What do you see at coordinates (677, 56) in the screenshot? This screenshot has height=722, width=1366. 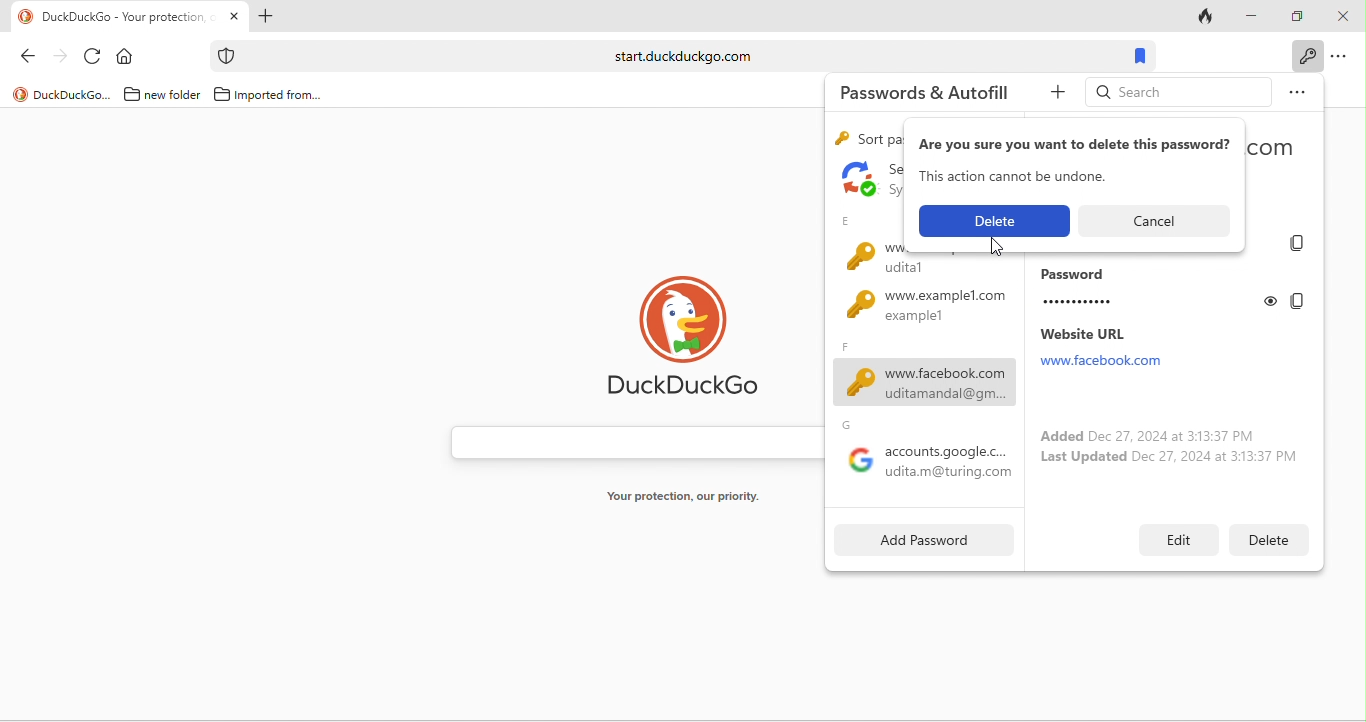 I see `search bar` at bounding box center [677, 56].